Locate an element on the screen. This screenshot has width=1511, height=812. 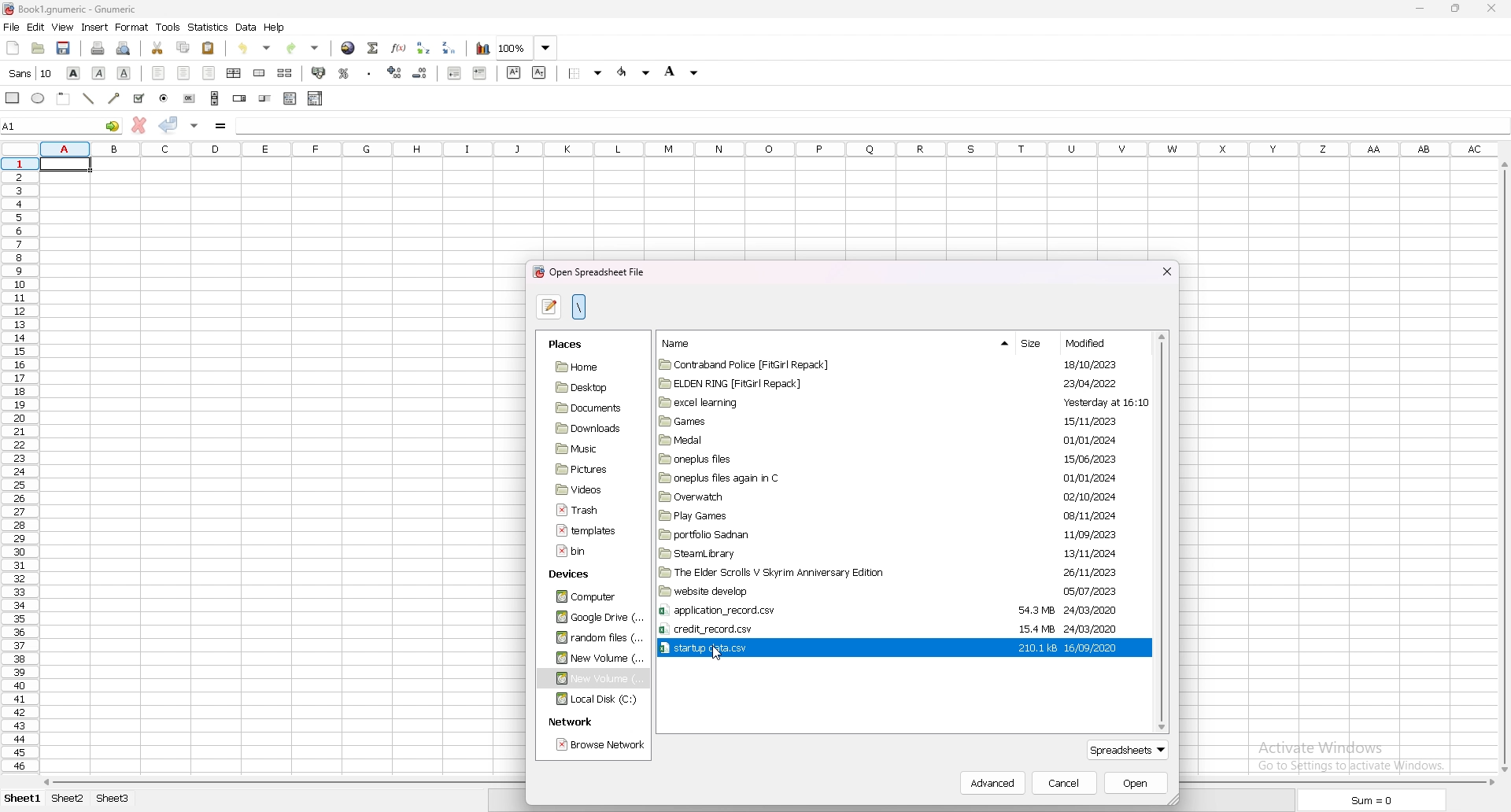
sort ascending is located at coordinates (424, 48).